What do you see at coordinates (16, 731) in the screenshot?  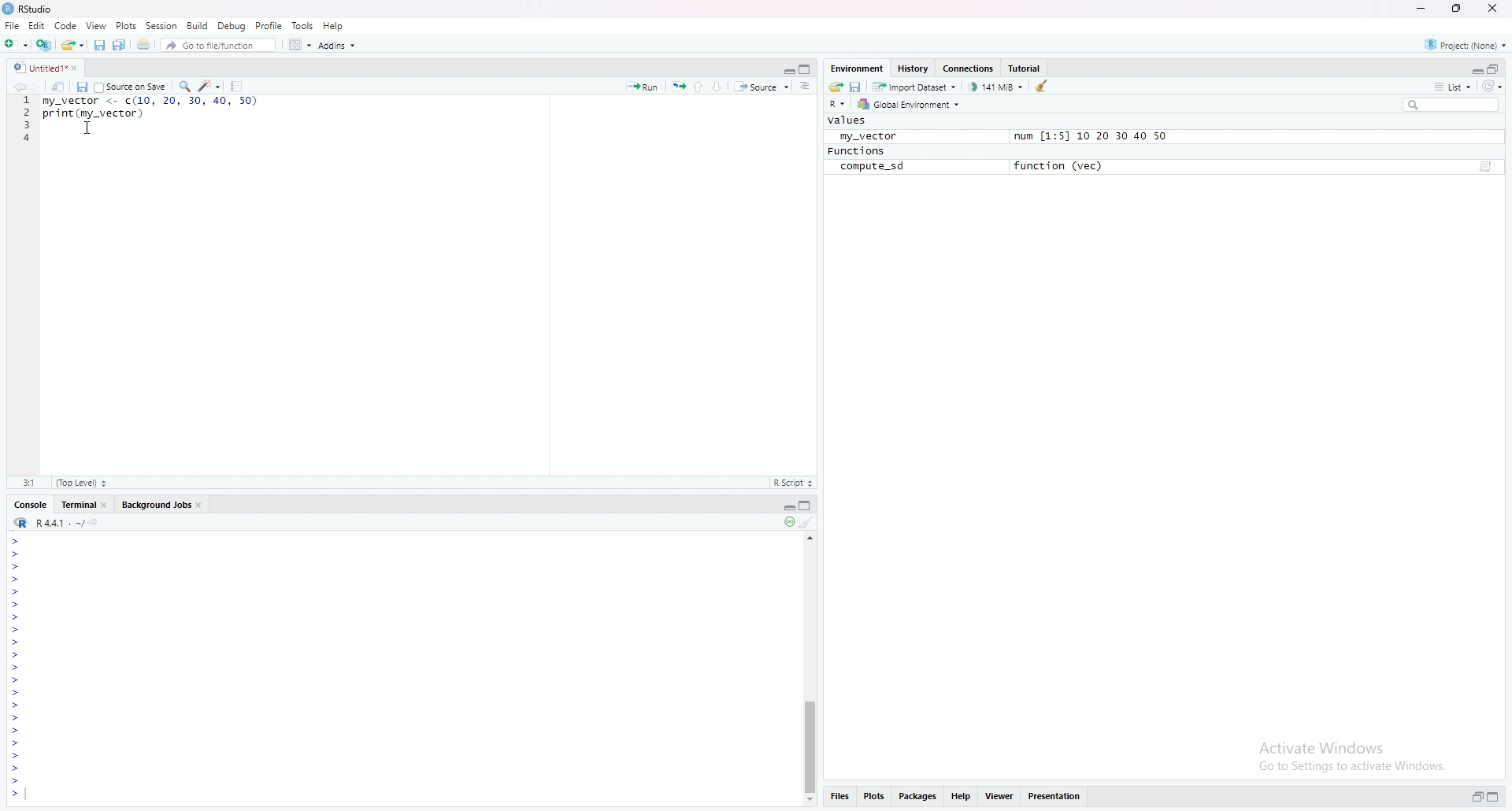 I see `Prompt cursor` at bounding box center [16, 731].